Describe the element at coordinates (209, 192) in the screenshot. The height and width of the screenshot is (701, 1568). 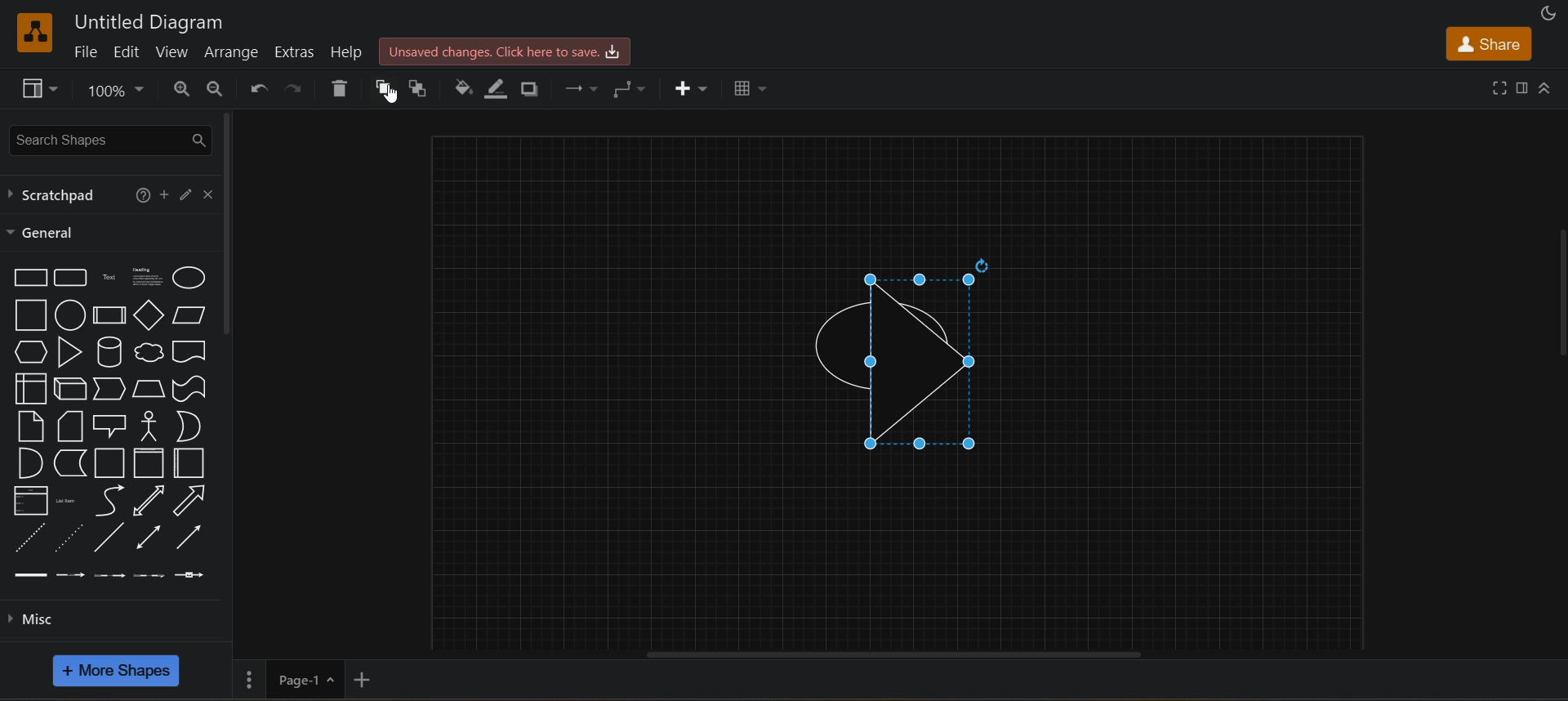
I see `close` at that location.